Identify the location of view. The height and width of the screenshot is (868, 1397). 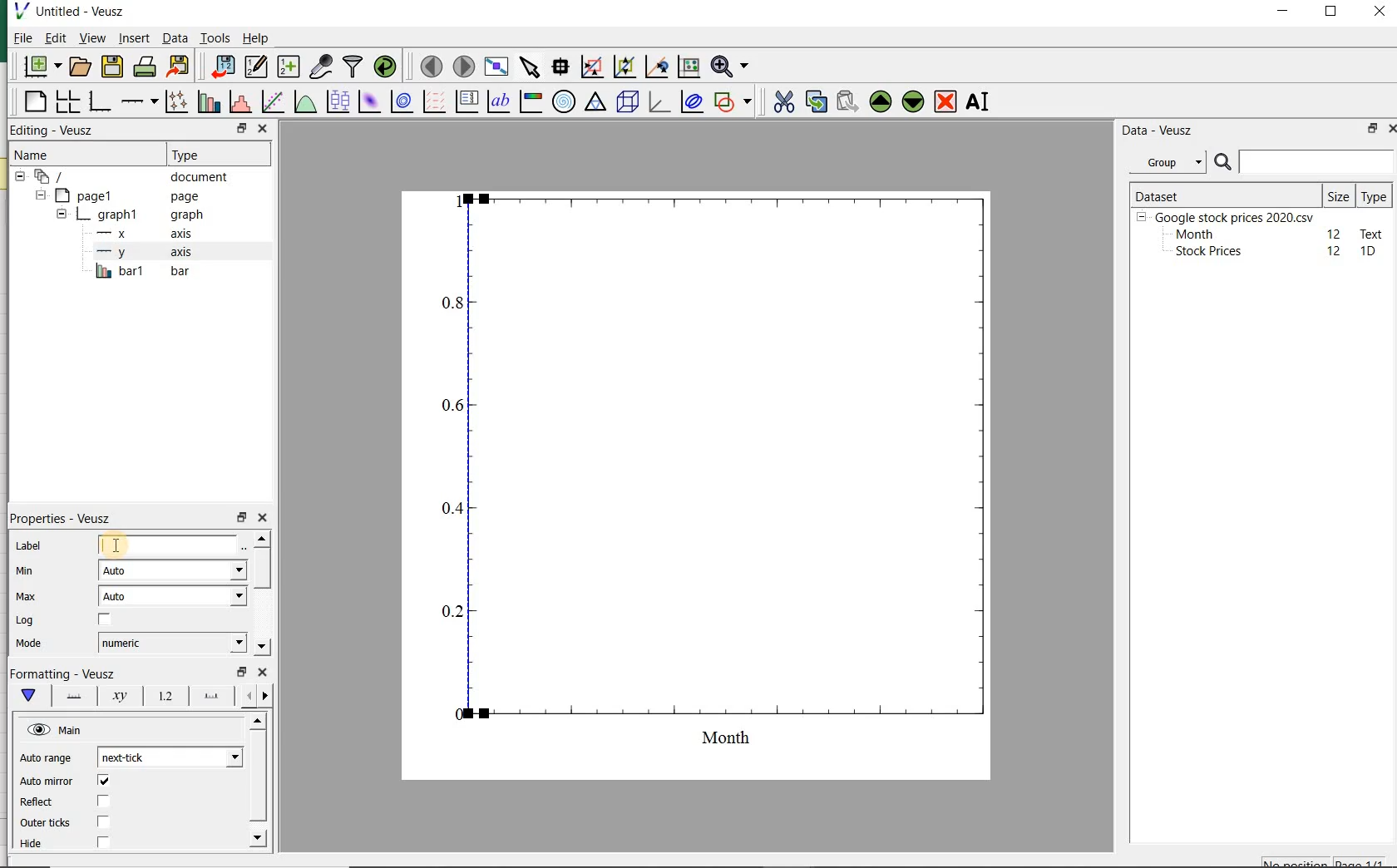
(92, 39).